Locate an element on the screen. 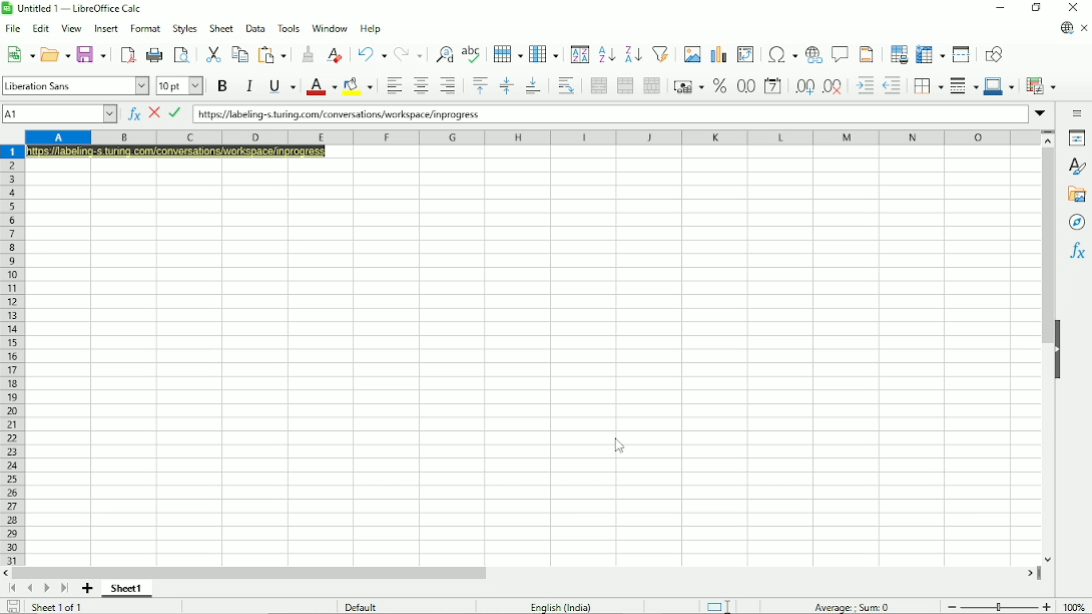 The height and width of the screenshot is (614, 1092). Clear direct formatting is located at coordinates (334, 55).